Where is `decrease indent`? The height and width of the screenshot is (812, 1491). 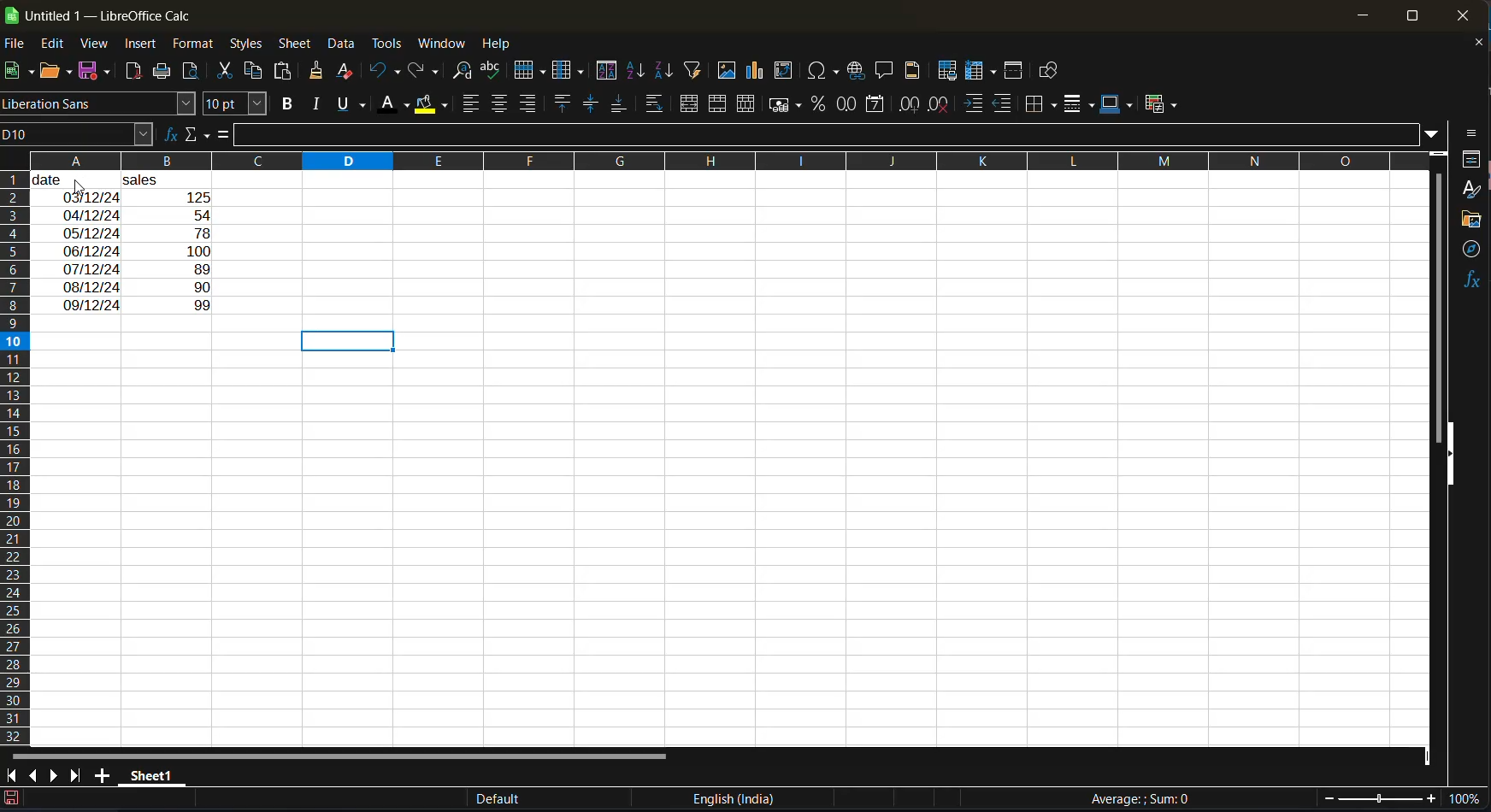 decrease indent is located at coordinates (1002, 102).